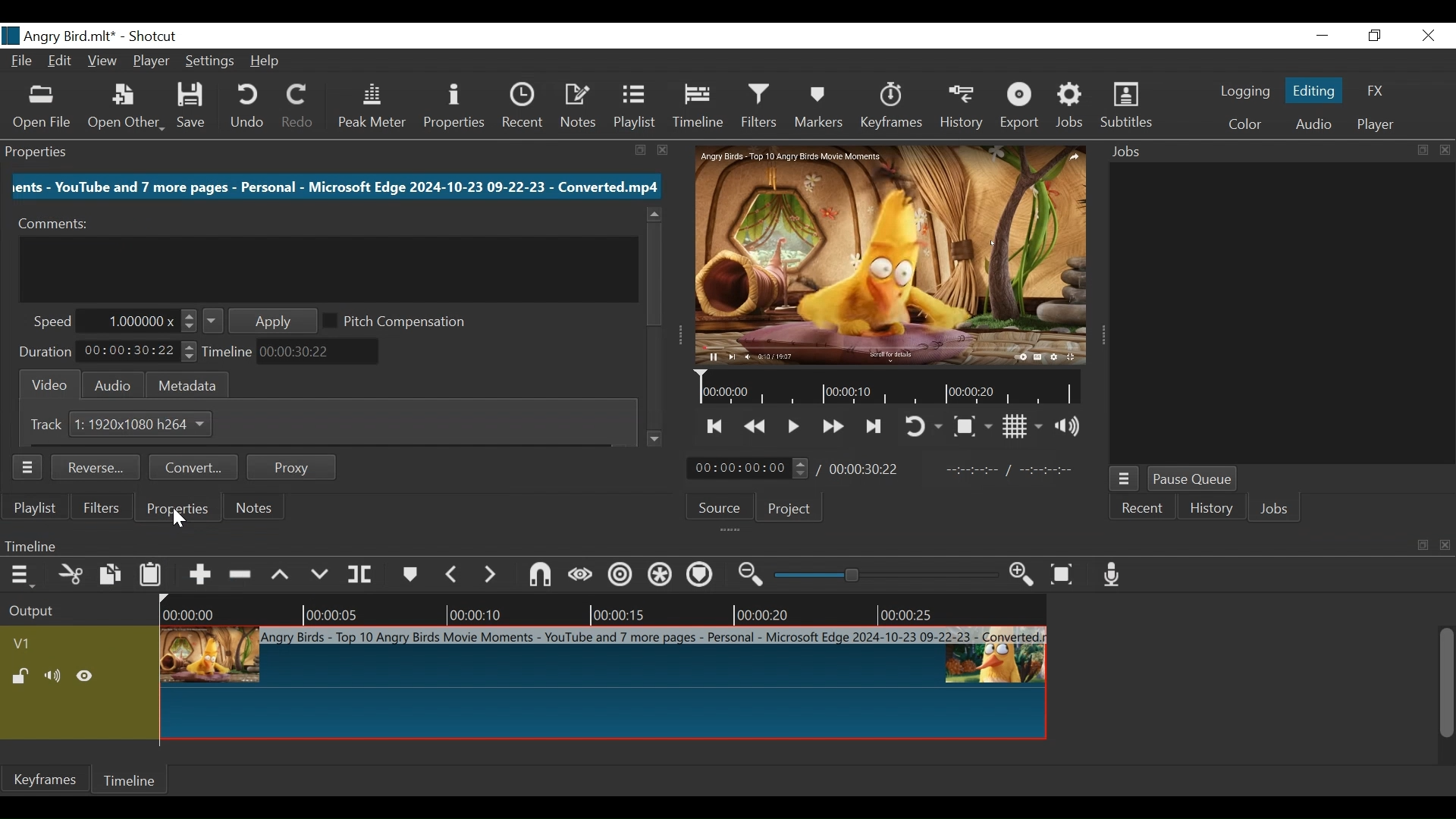  I want to click on Play backward quickly, so click(756, 428).